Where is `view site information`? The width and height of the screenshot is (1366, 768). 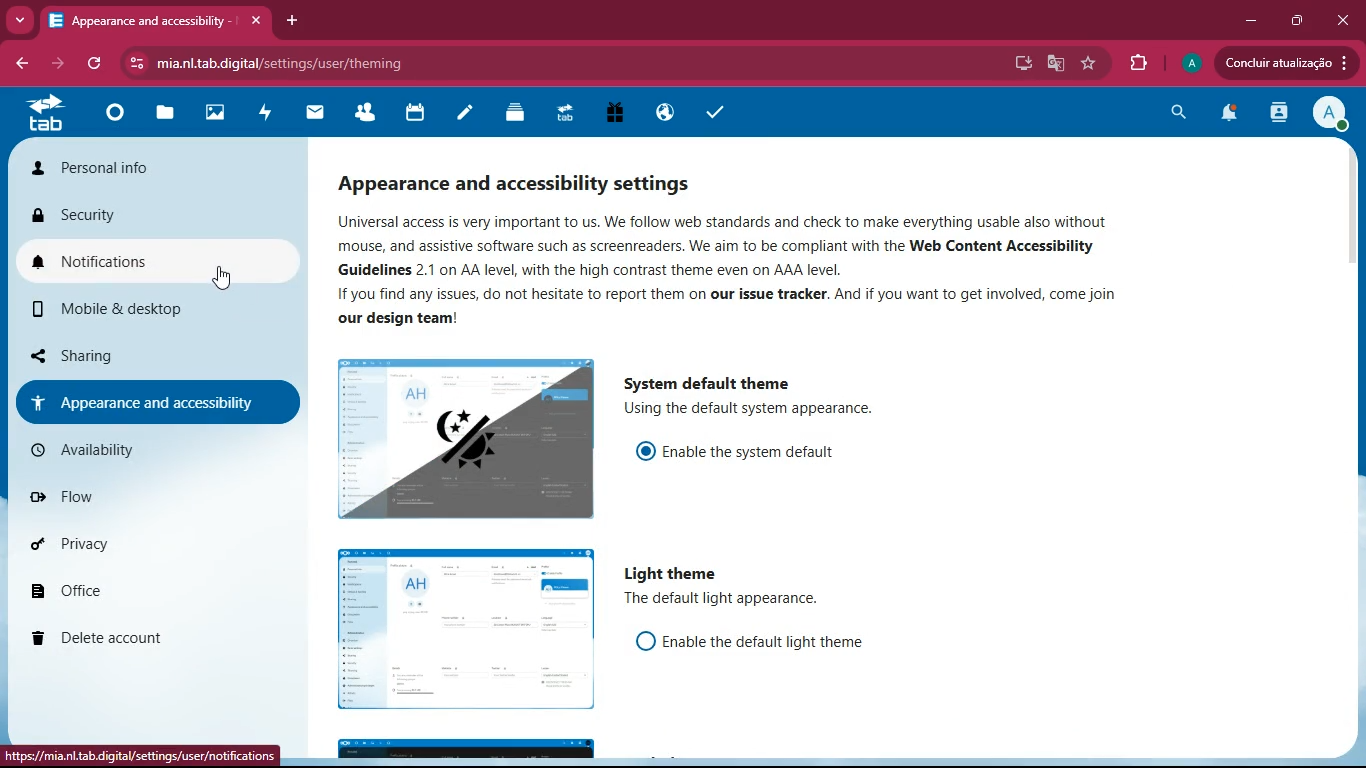 view site information is located at coordinates (133, 64).